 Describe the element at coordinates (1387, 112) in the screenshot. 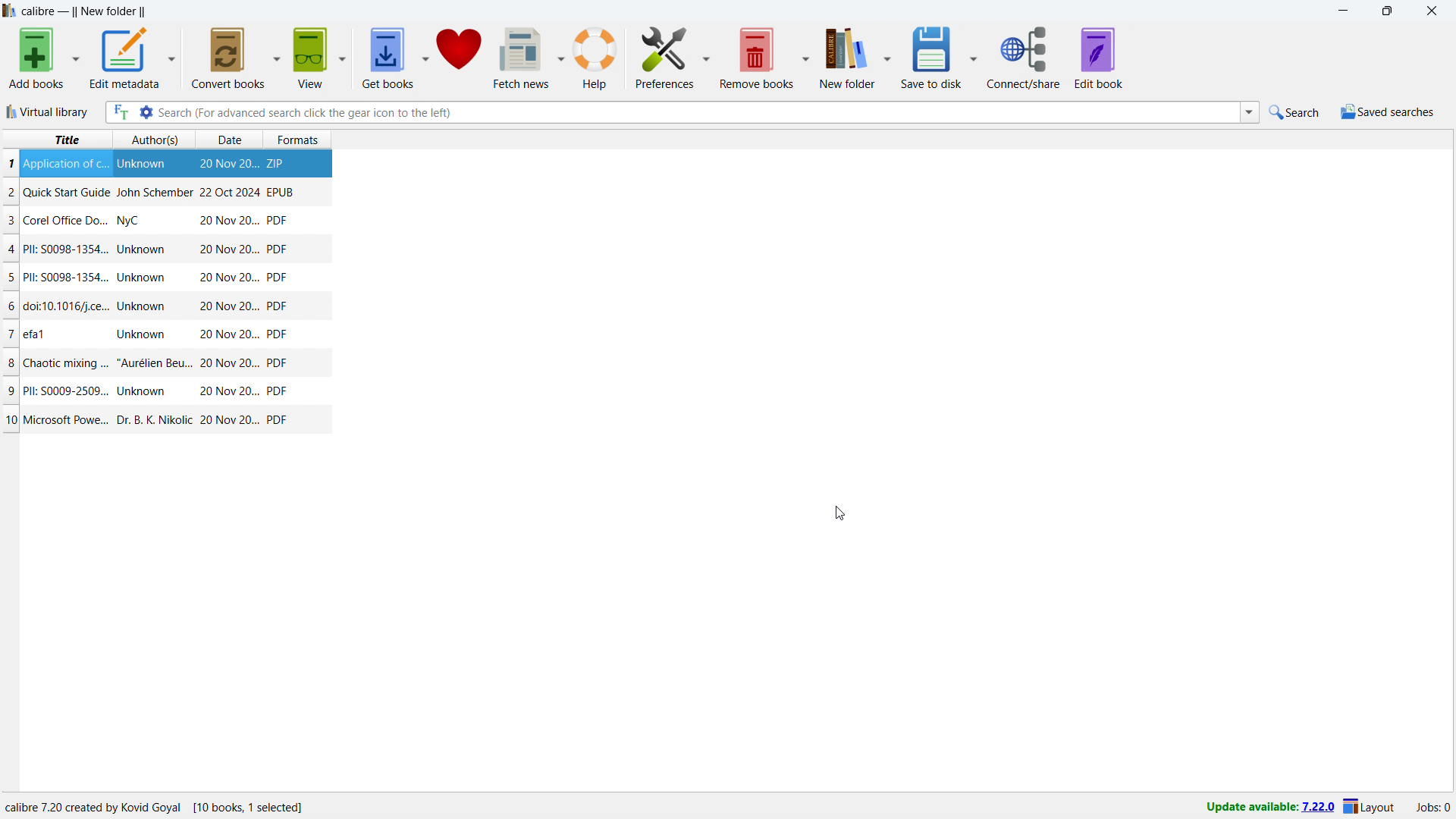

I see `saved searches menu` at that location.